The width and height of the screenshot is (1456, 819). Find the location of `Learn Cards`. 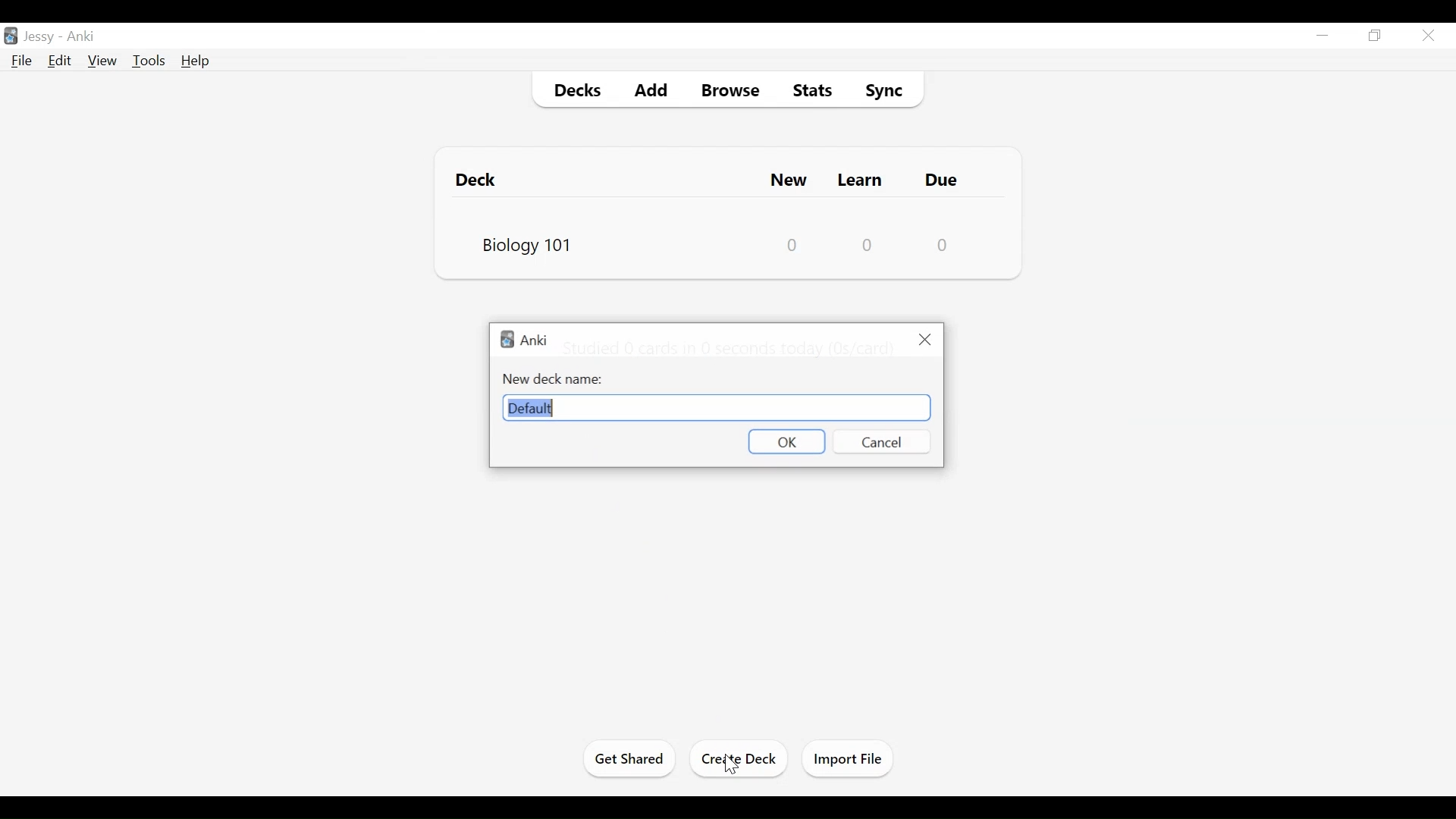

Learn Cards is located at coordinates (862, 179).